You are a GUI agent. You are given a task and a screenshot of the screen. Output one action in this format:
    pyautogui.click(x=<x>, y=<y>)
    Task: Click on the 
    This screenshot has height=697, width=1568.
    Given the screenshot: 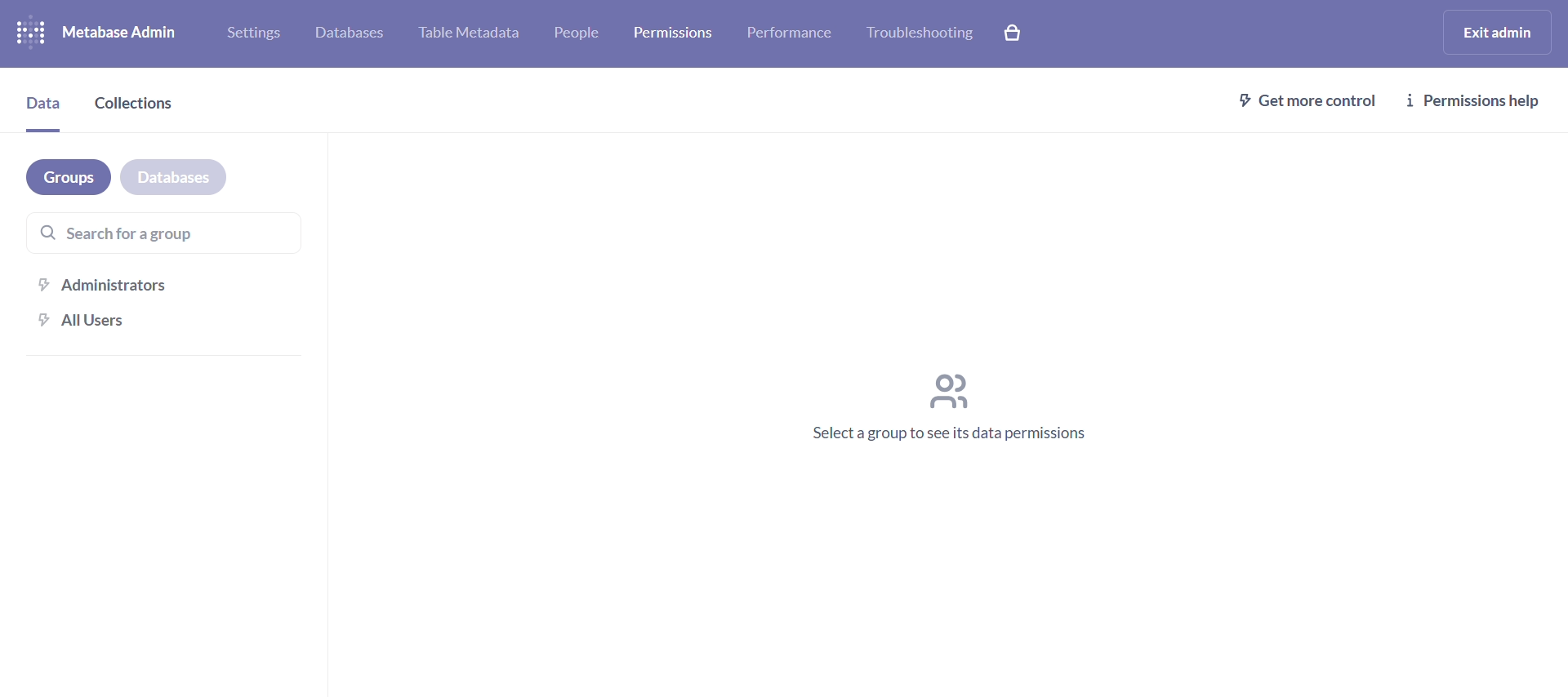 What is the action you would take?
    pyautogui.click(x=42, y=109)
    